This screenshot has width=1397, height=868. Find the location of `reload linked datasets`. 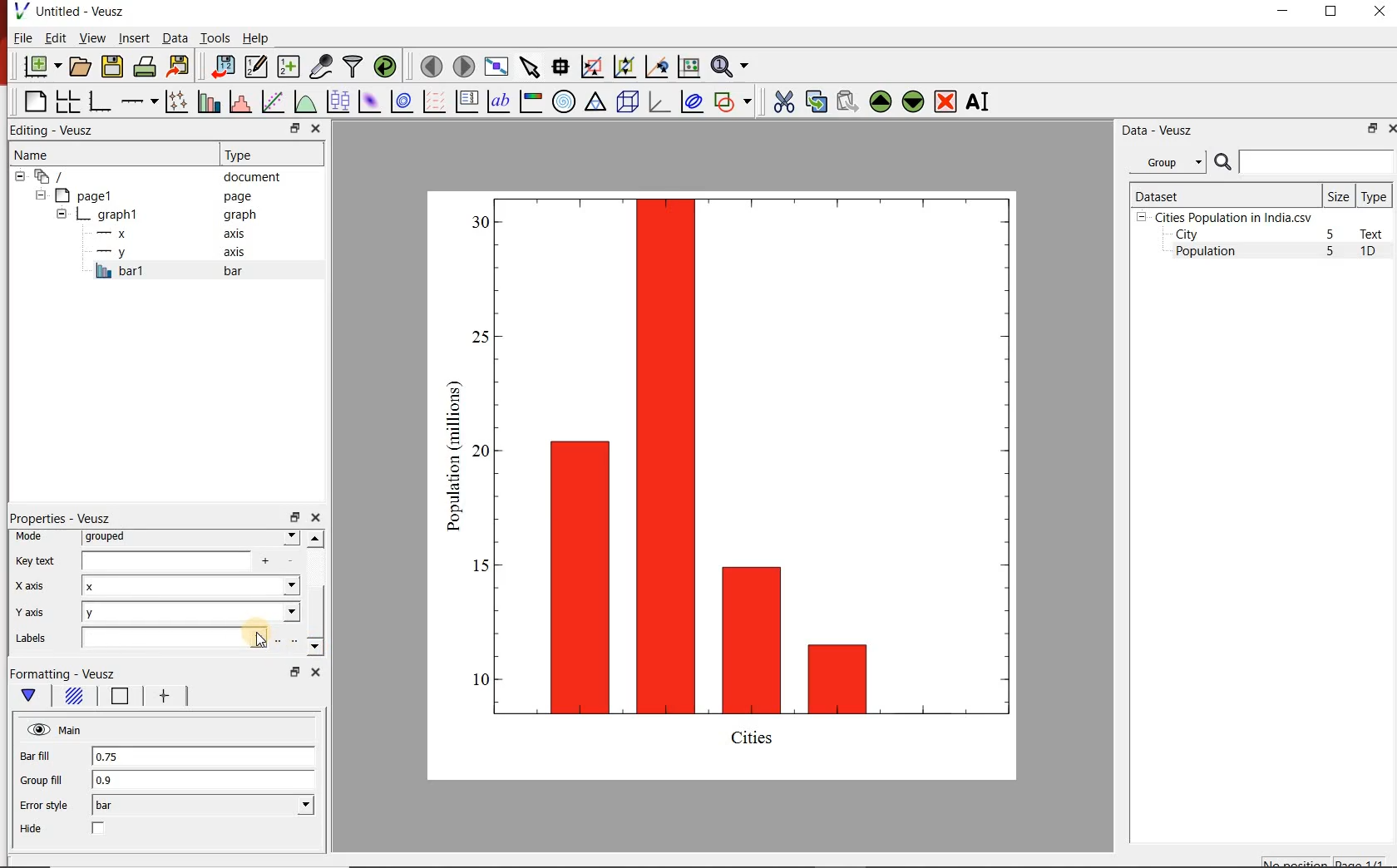

reload linked datasets is located at coordinates (384, 67).